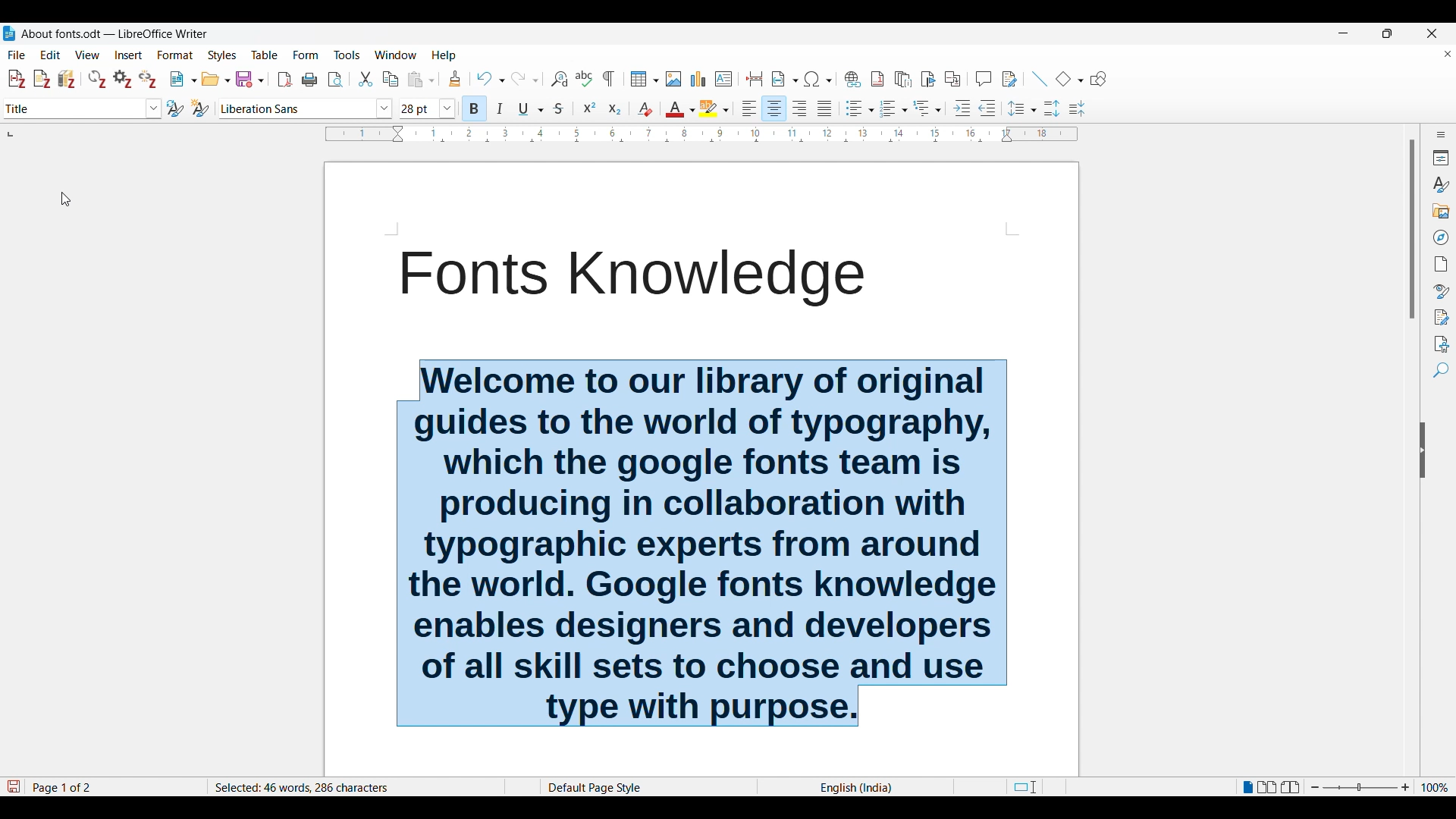 Image resolution: width=1456 pixels, height=819 pixels. What do you see at coordinates (927, 108) in the screenshot?
I see `Select outline format` at bounding box center [927, 108].